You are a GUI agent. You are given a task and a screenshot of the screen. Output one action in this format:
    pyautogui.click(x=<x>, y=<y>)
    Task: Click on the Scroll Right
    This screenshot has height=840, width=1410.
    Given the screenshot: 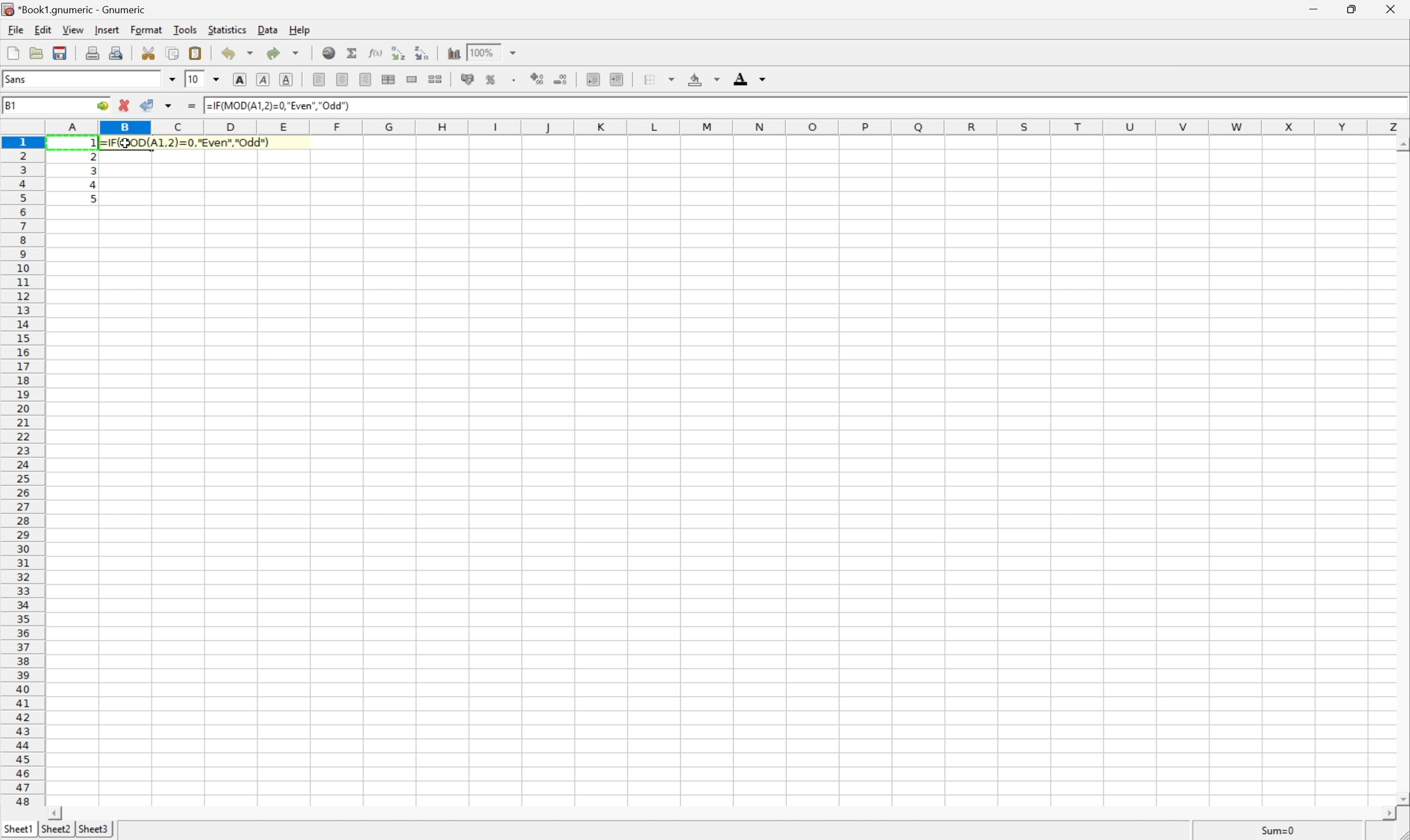 What is the action you would take?
    pyautogui.click(x=1381, y=813)
    